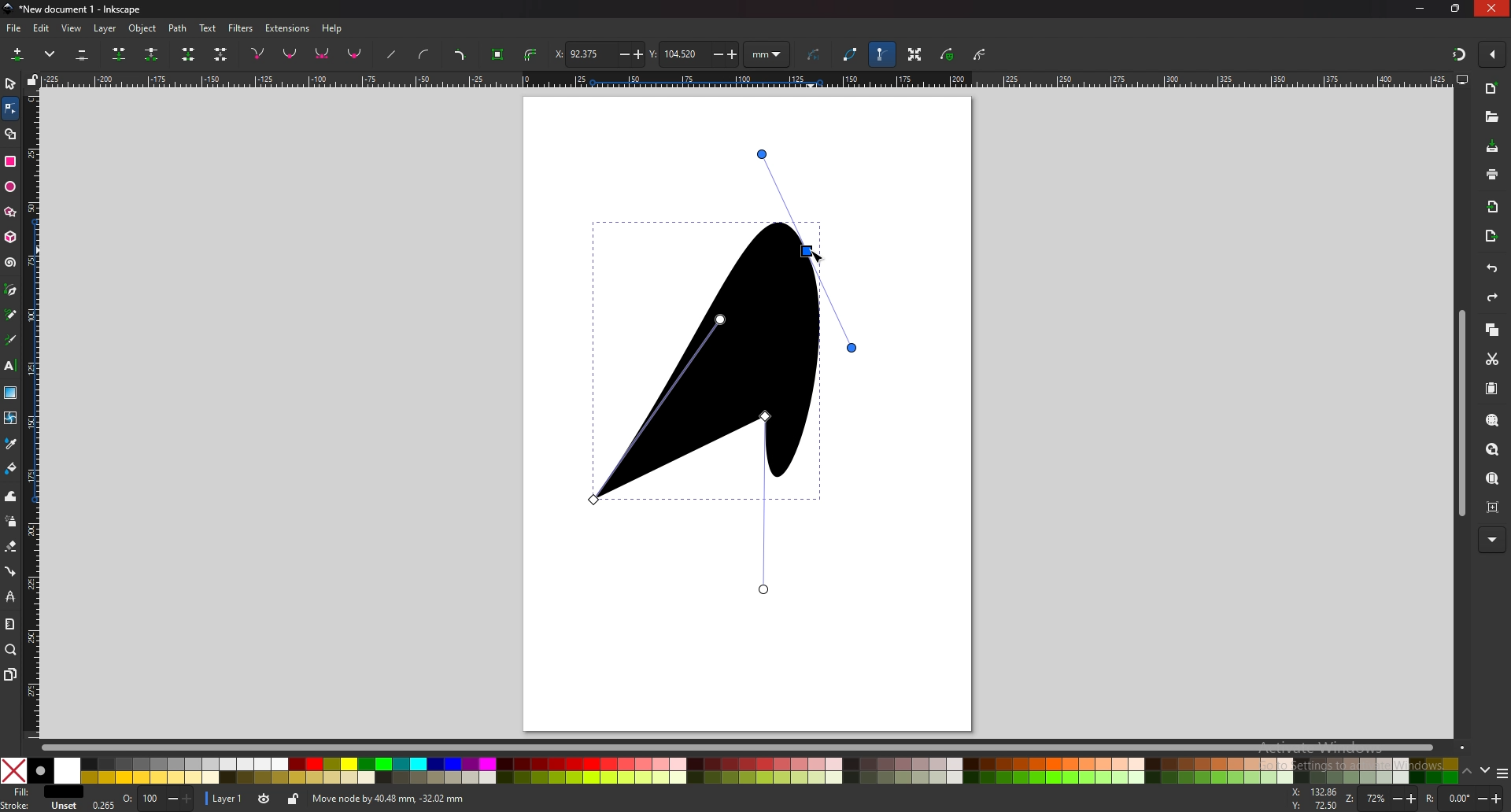 This screenshot has height=812, width=1511. Describe the element at coordinates (1463, 79) in the screenshot. I see `display options` at that location.